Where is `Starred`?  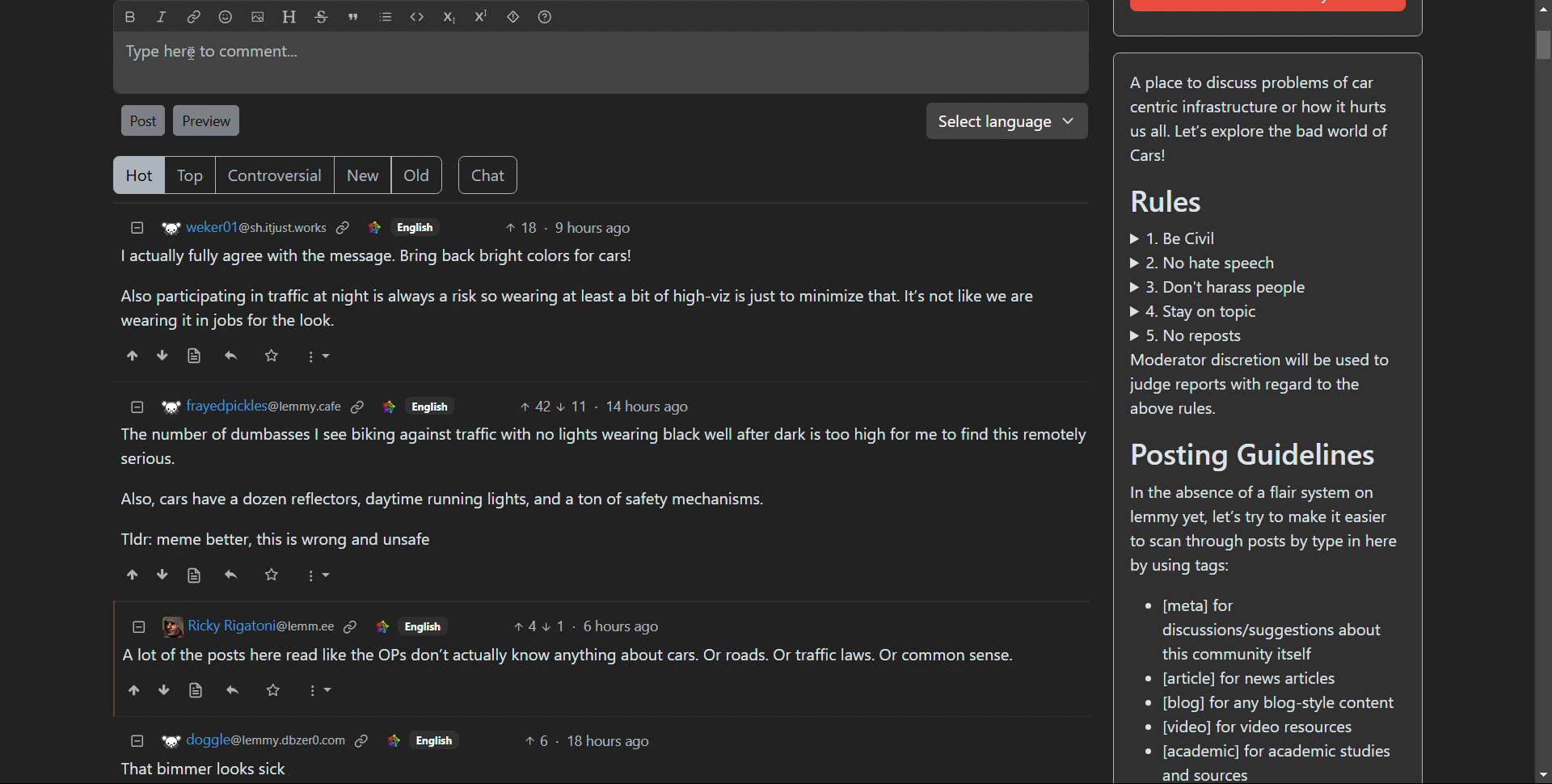 Starred is located at coordinates (271, 574).